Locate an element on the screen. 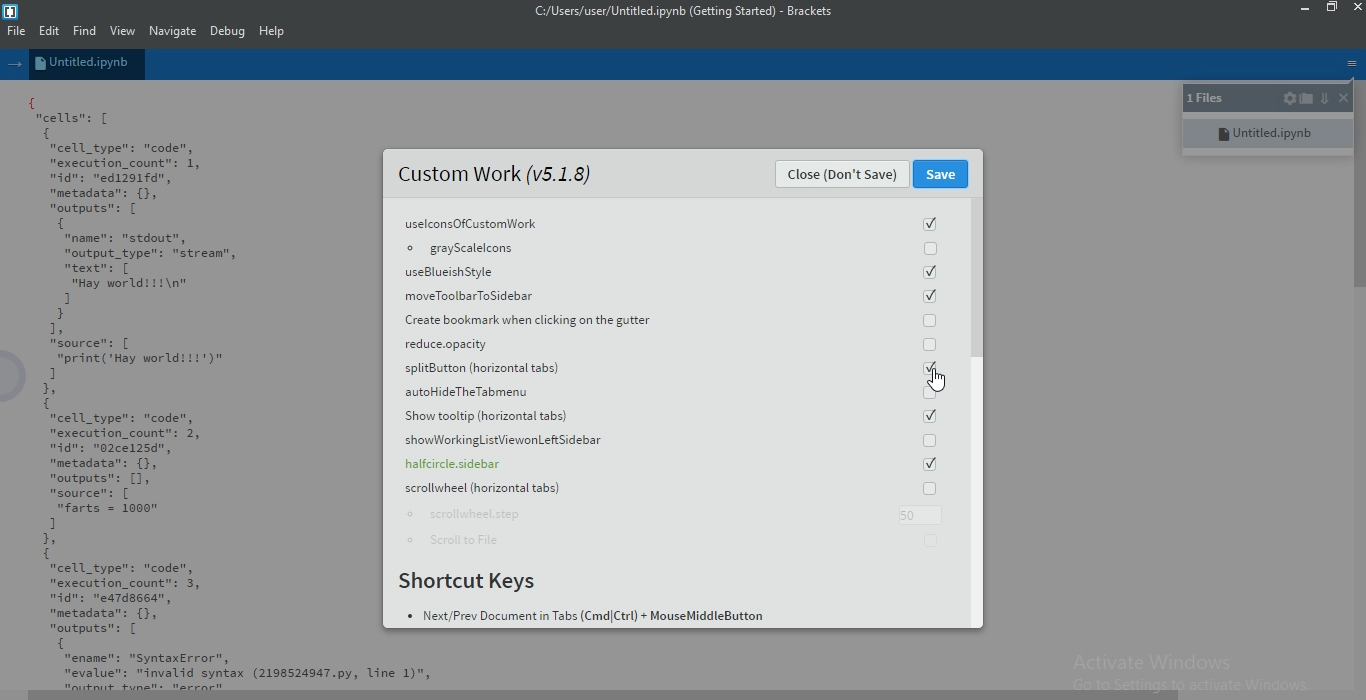 Image resolution: width=1366 pixels, height=700 pixels. untitled.ipynb is located at coordinates (88, 64).